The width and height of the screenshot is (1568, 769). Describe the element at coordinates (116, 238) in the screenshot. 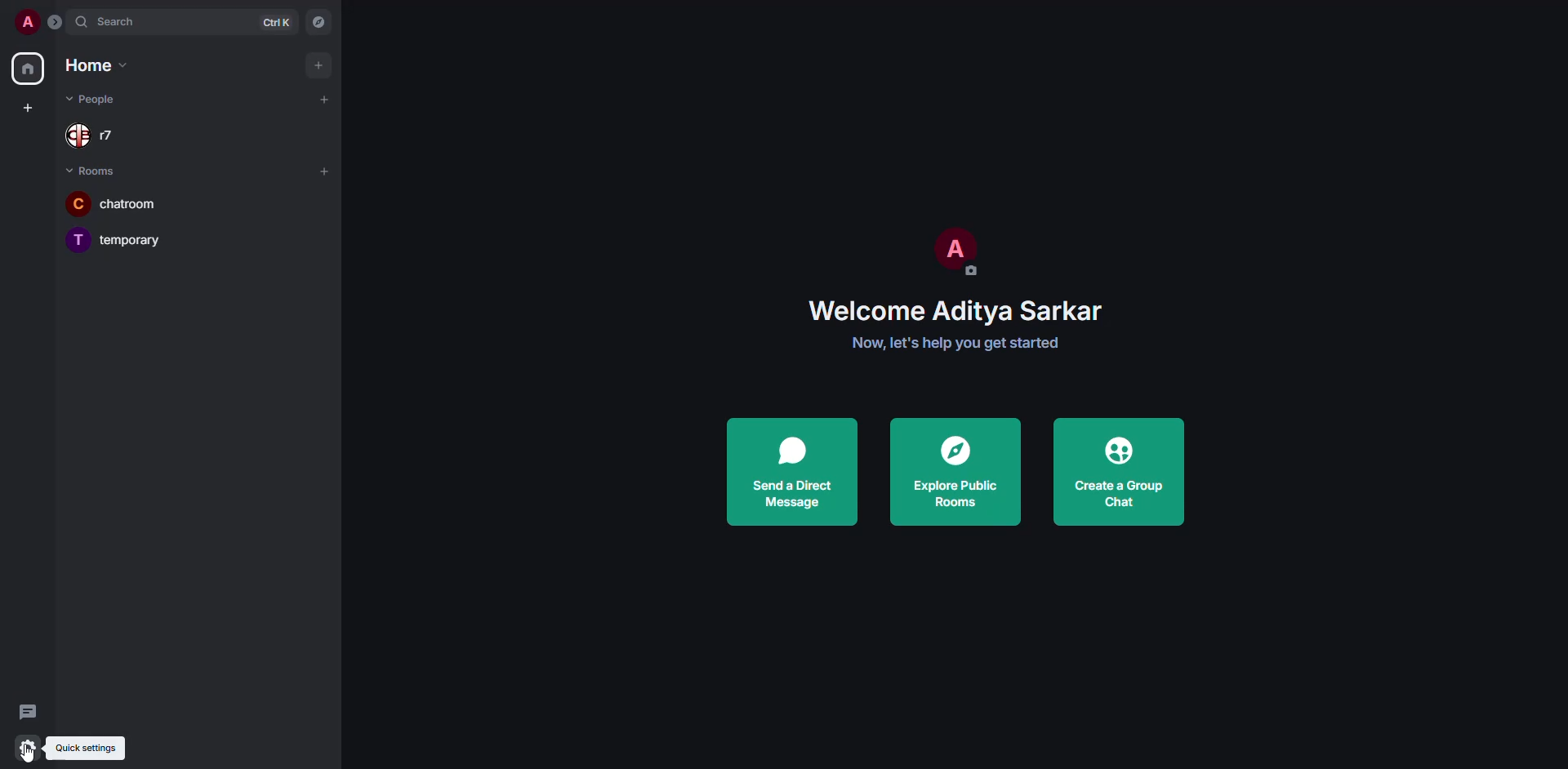

I see `temporary` at that location.